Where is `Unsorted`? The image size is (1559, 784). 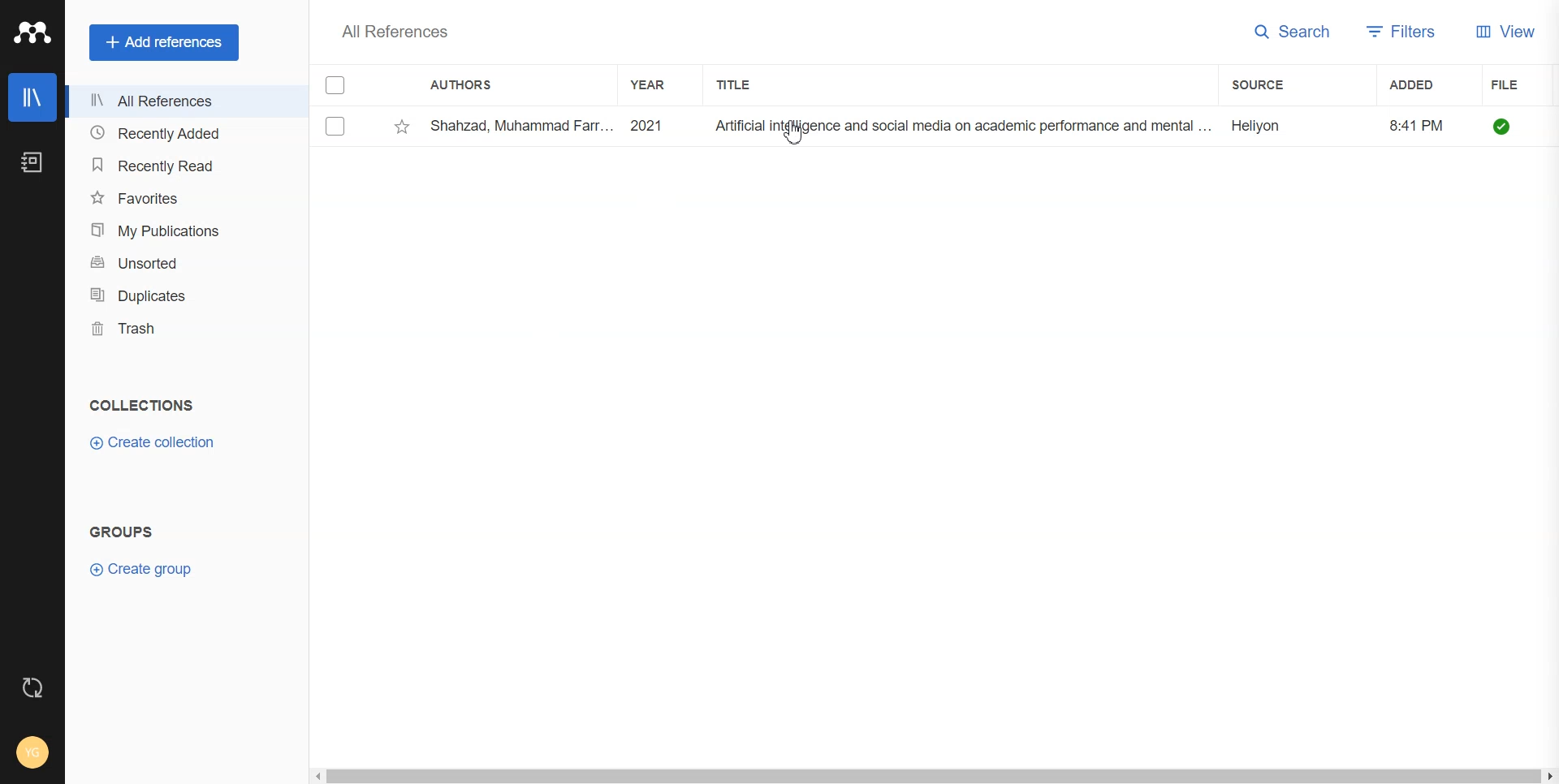 Unsorted is located at coordinates (182, 264).